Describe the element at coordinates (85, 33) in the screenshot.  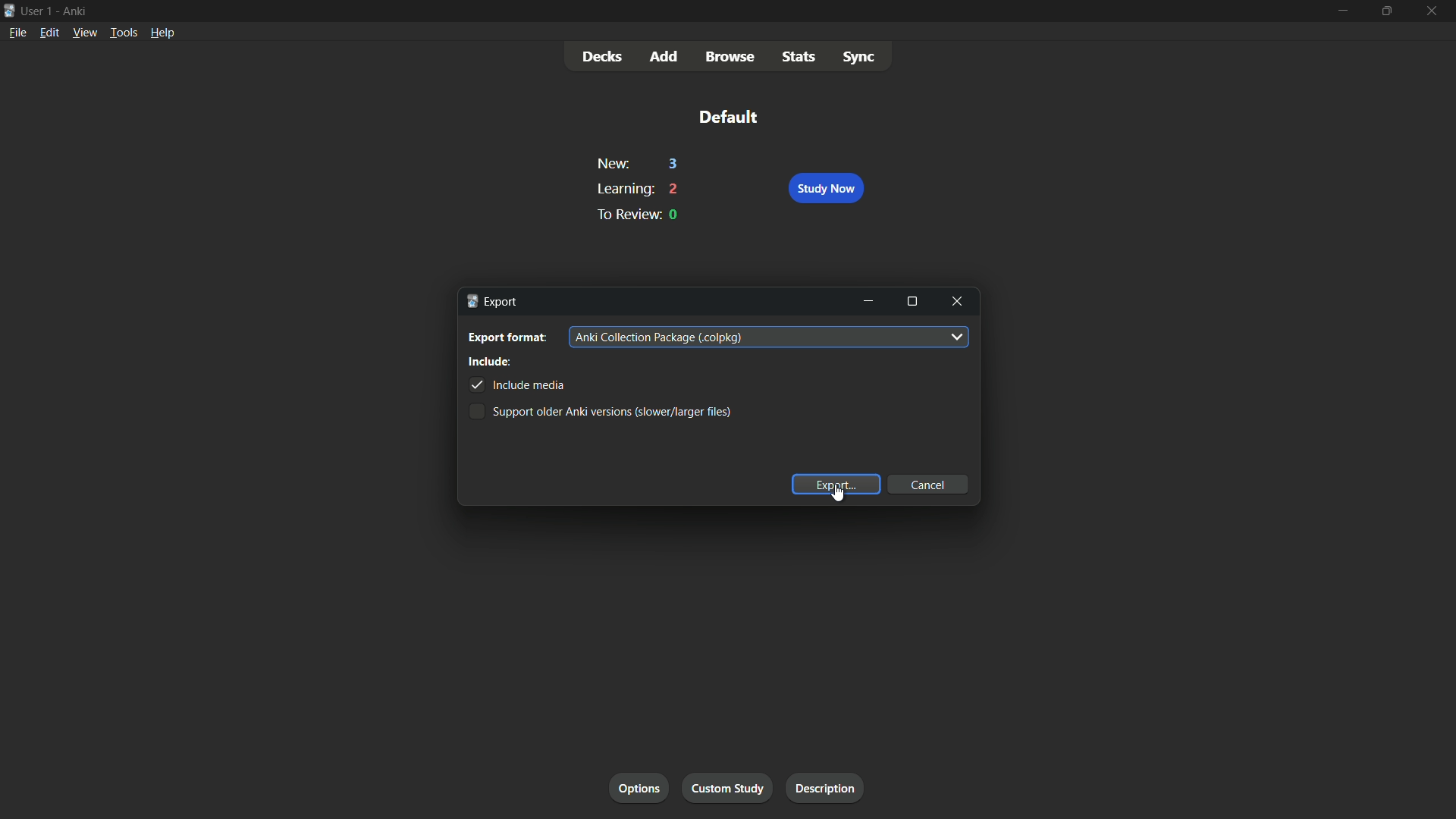
I see `view menu` at that location.